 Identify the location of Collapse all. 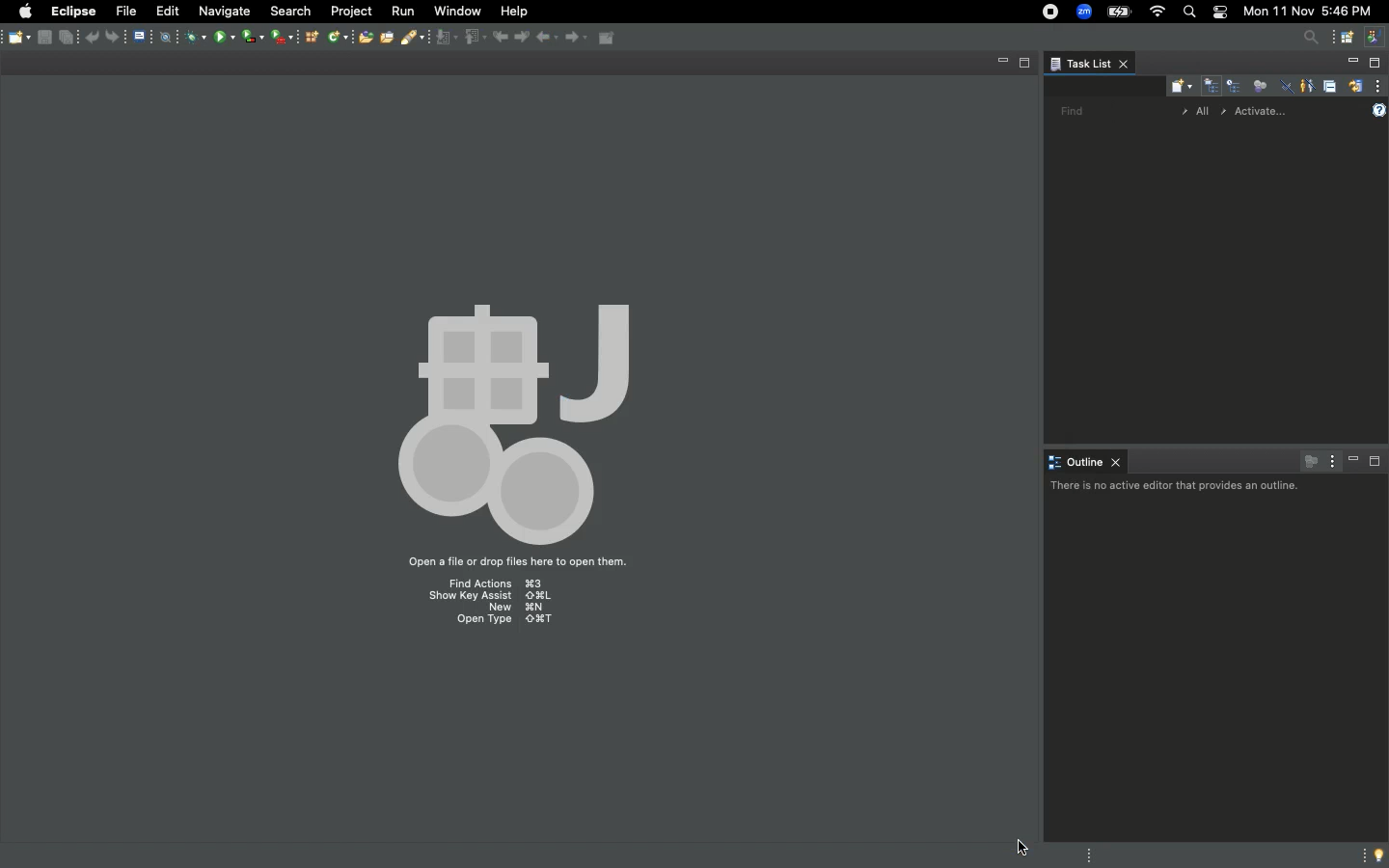
(1330, 86).